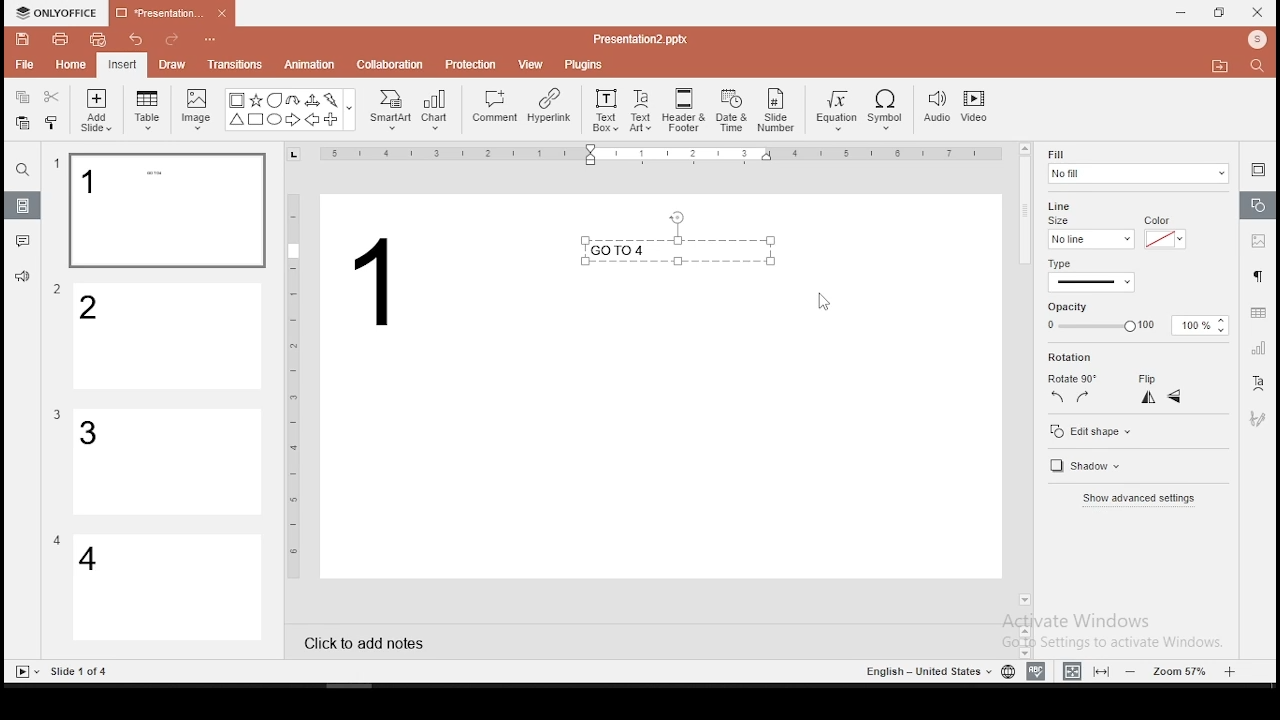 The image size is (1280, 720). Describe the element at coordinates (1259, 206) in the screenshot. I see `shape settings` at that location.